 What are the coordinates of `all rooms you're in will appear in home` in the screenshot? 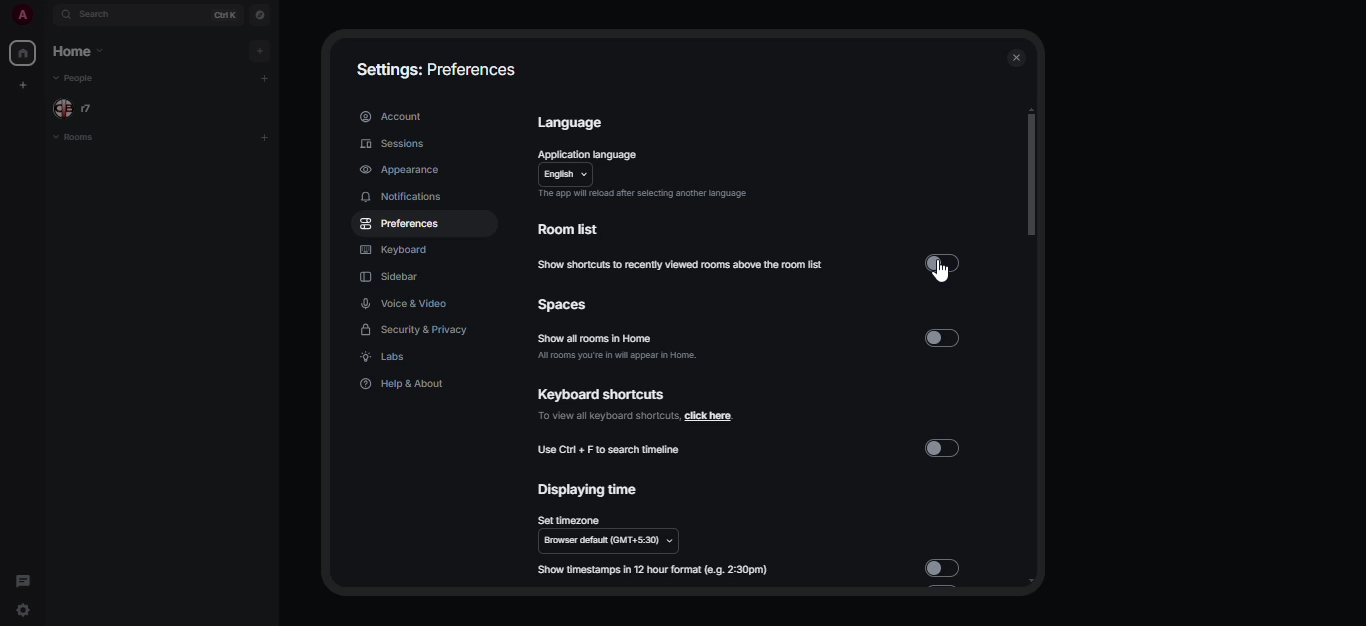 It's located at (616, 356).